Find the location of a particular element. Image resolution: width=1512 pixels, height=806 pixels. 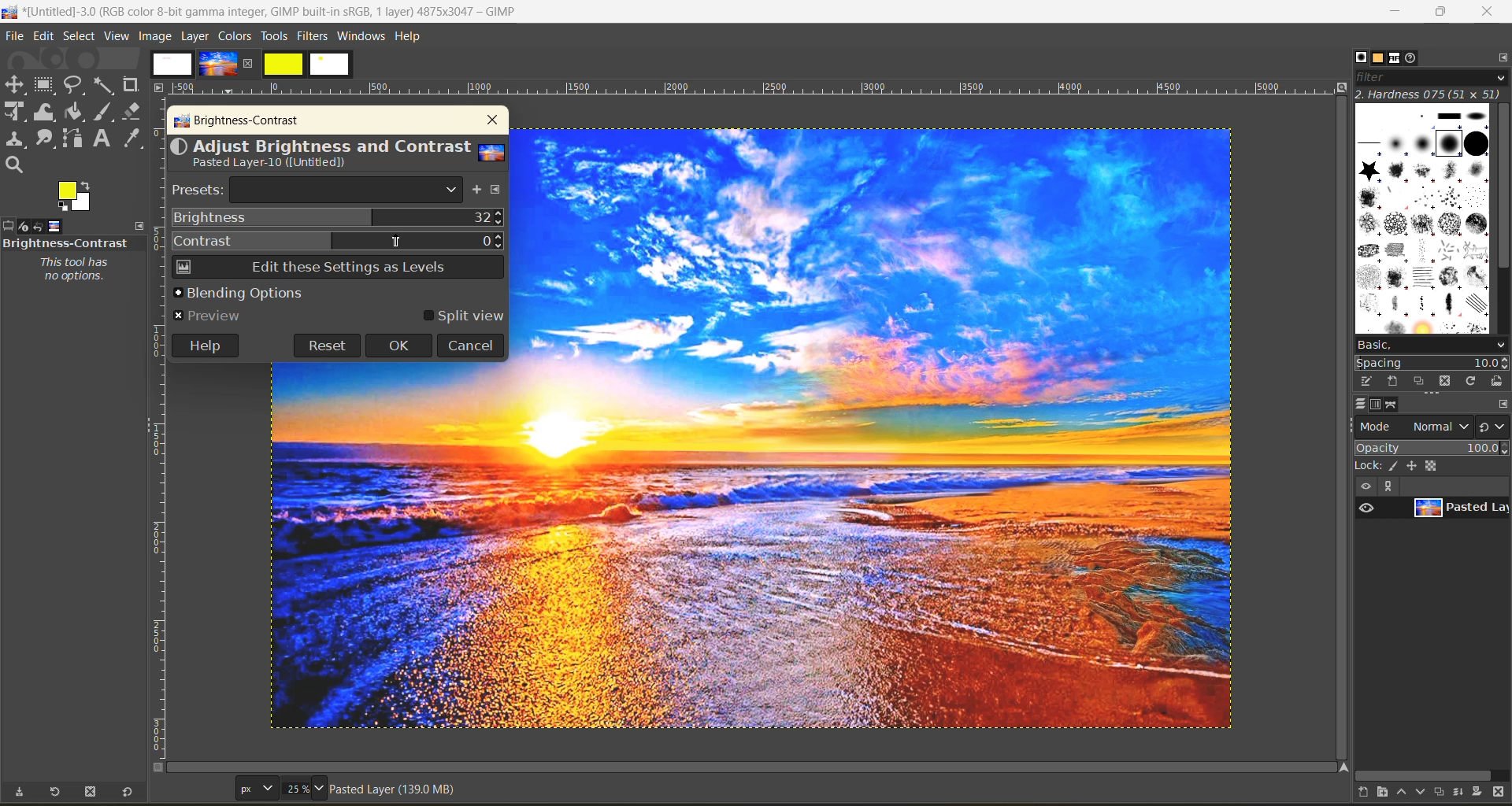

contrast is located at coordinates (338, 238).